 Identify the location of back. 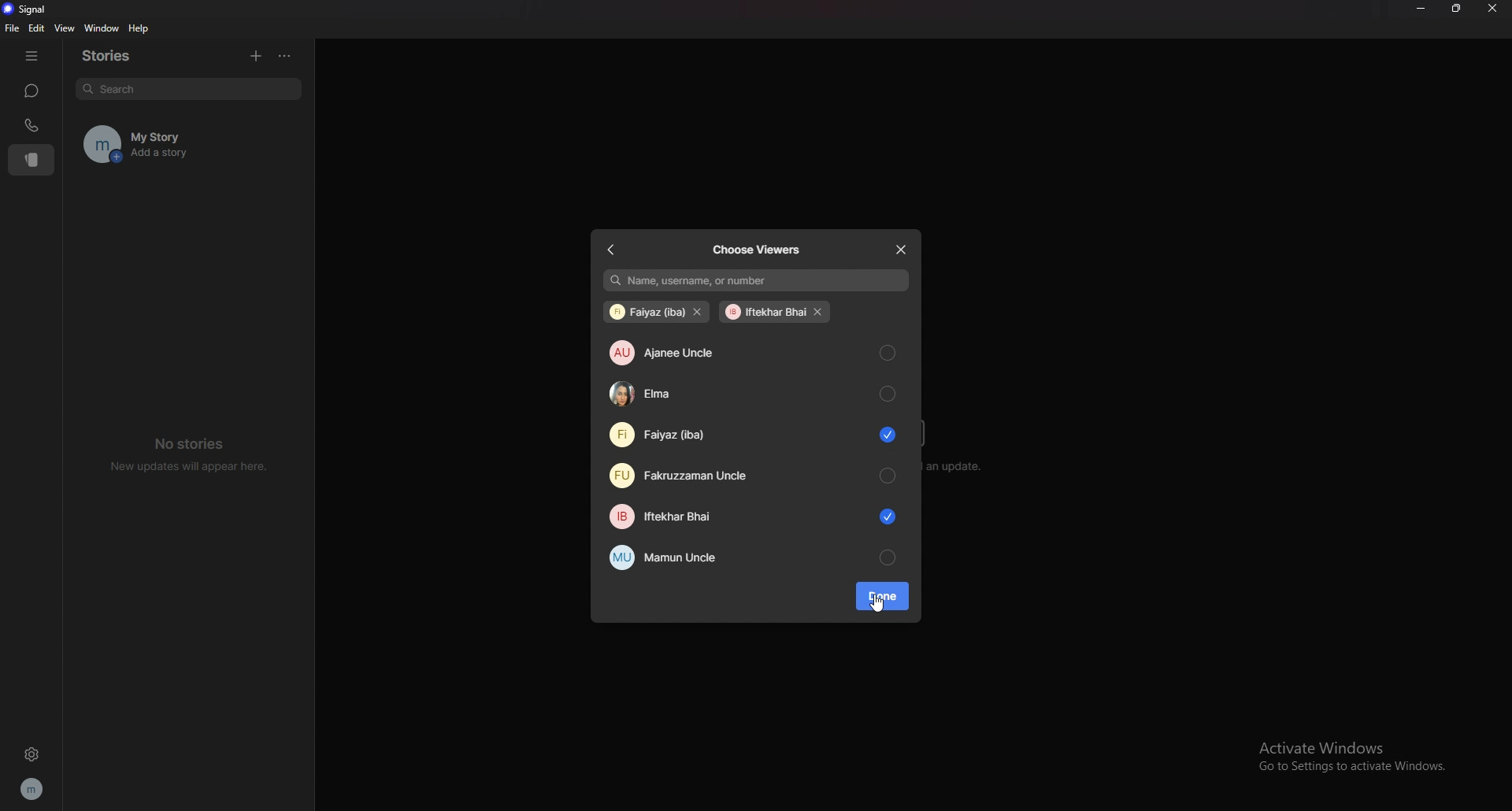
(612, 250).